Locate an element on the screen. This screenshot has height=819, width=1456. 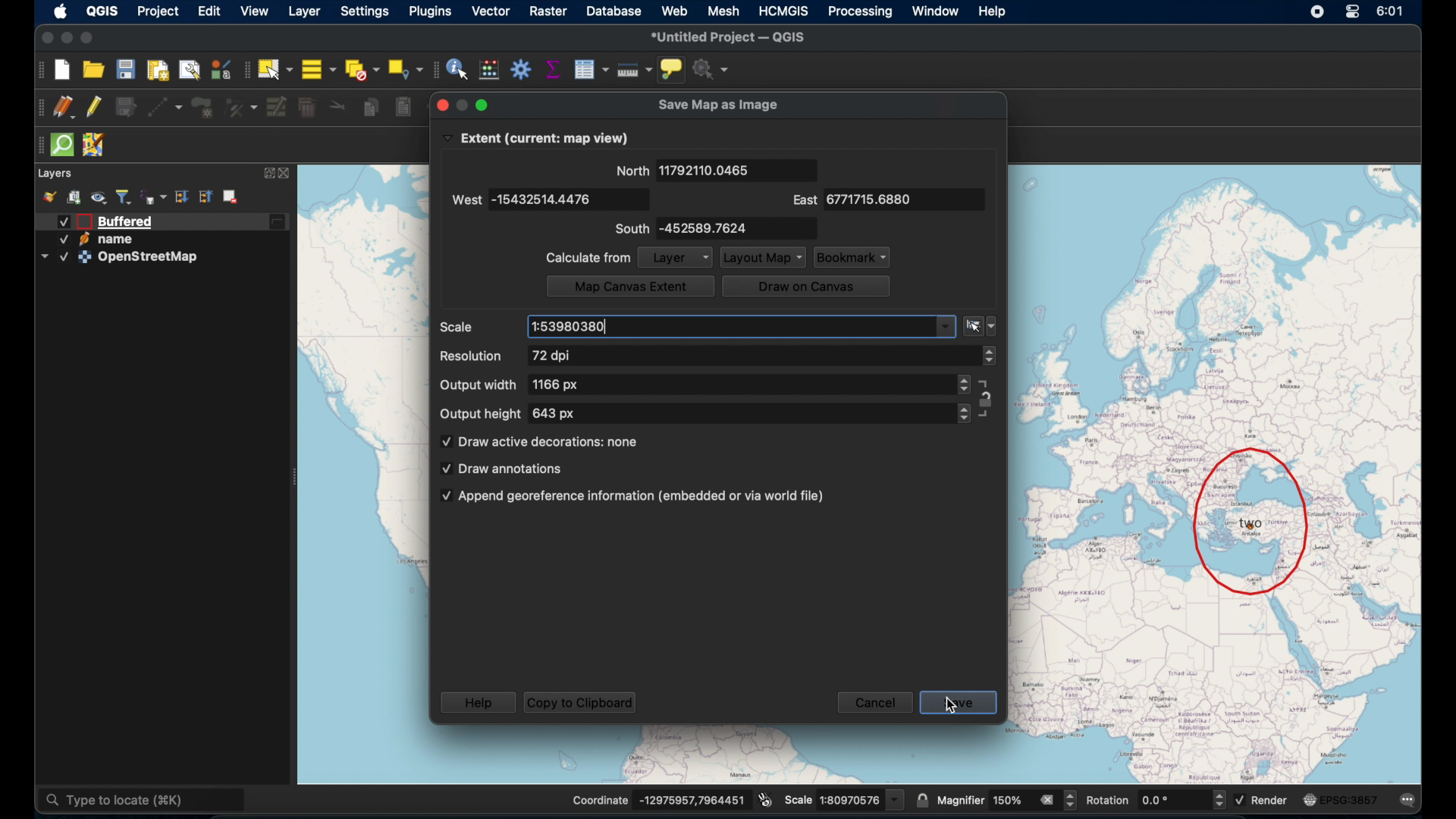
web is located at coordinates (674, 8).